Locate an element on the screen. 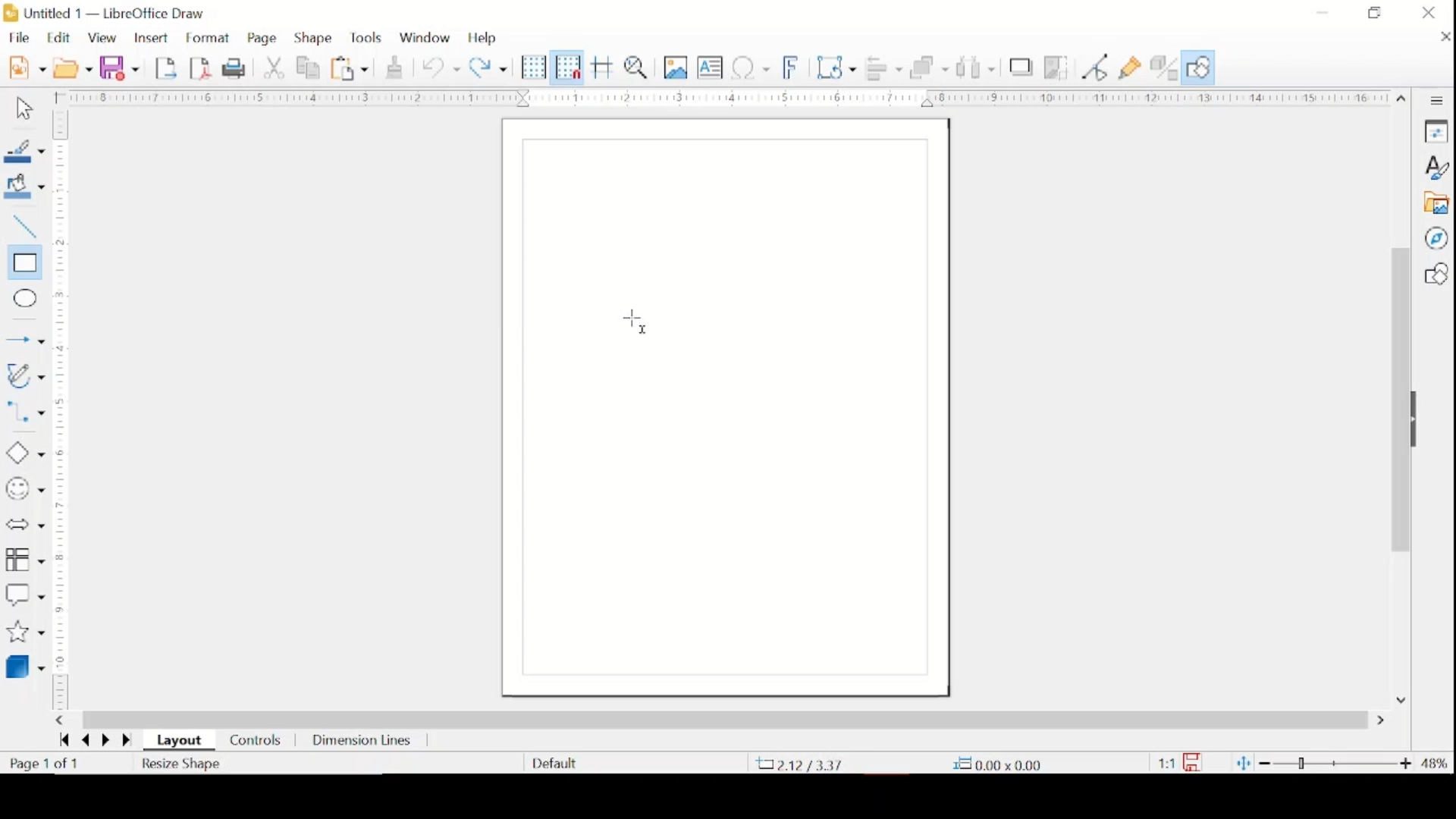 This screenshot has width=1456, height=819. this document has been modified is located at coordinates (1180, 763).